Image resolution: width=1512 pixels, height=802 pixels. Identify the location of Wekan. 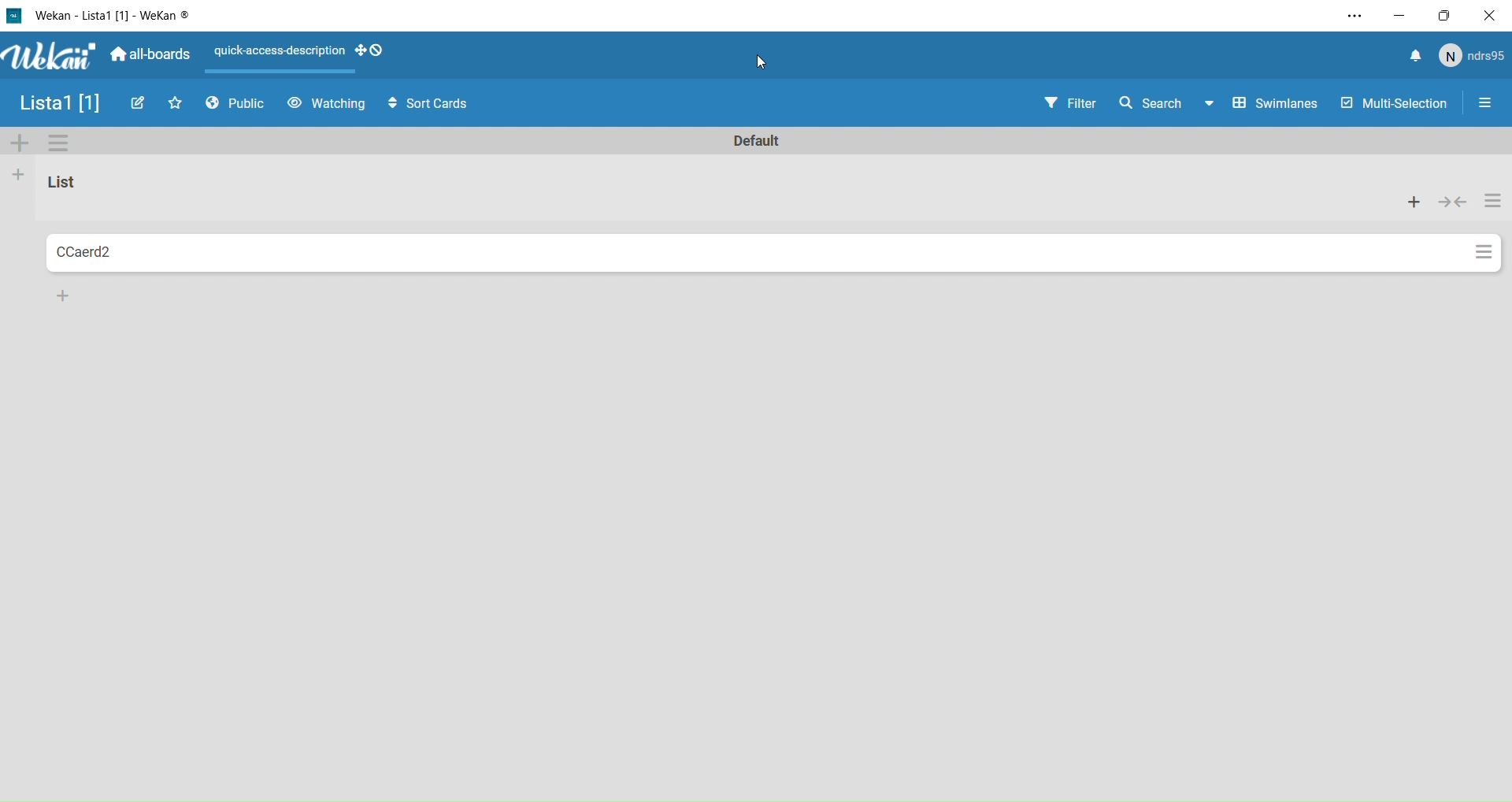
(51, 60).